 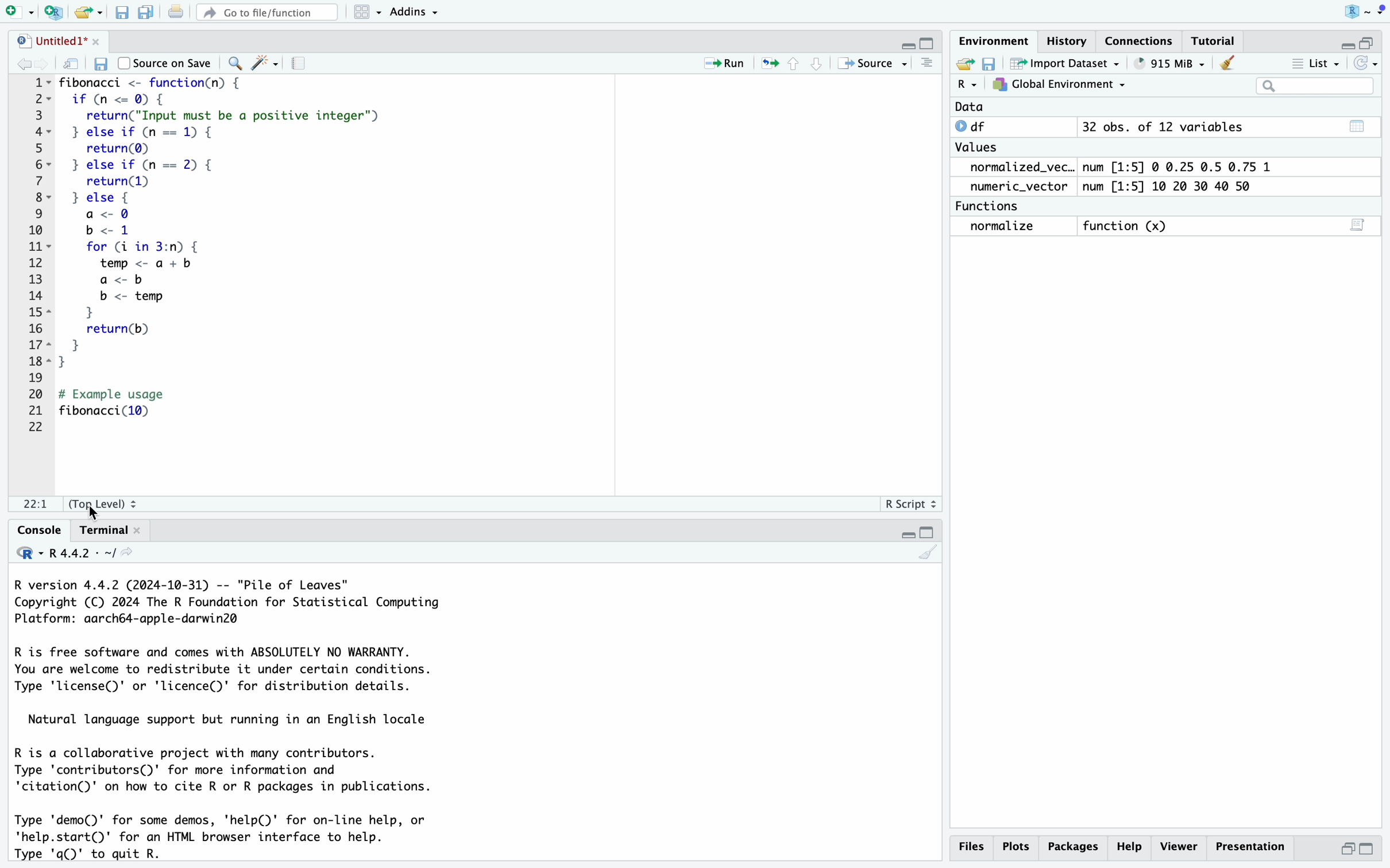 What do you see at coordinates (15, 64) in the screenshot?
I see `go back to the previous source location` at bounding box center [15, 64].